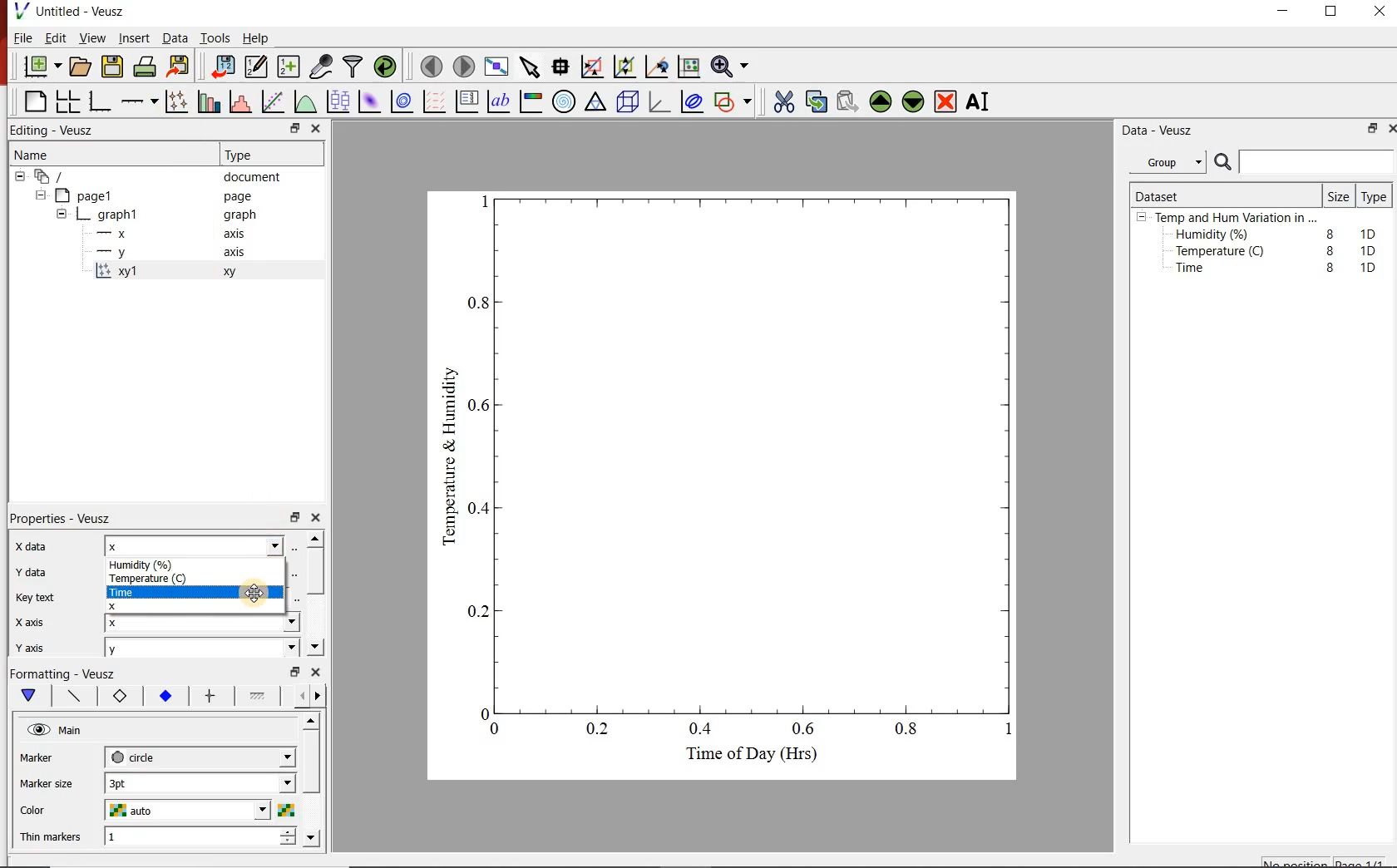 The height and width of the screenshot is (868, 1397). Describe the element at coordinates (321, 696) in the screenshot. I see `go forward` at that location.